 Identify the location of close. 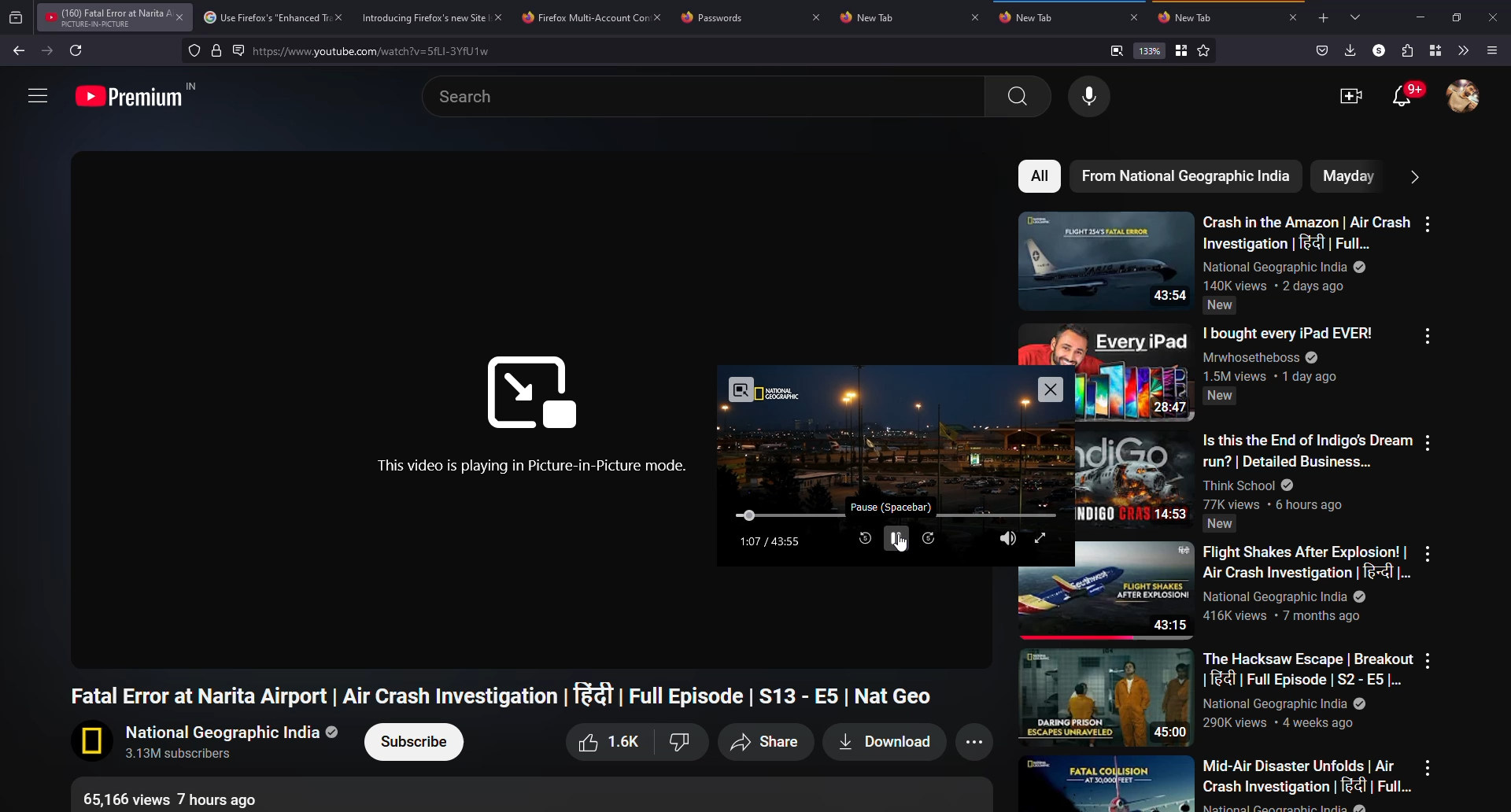
(976, 17).